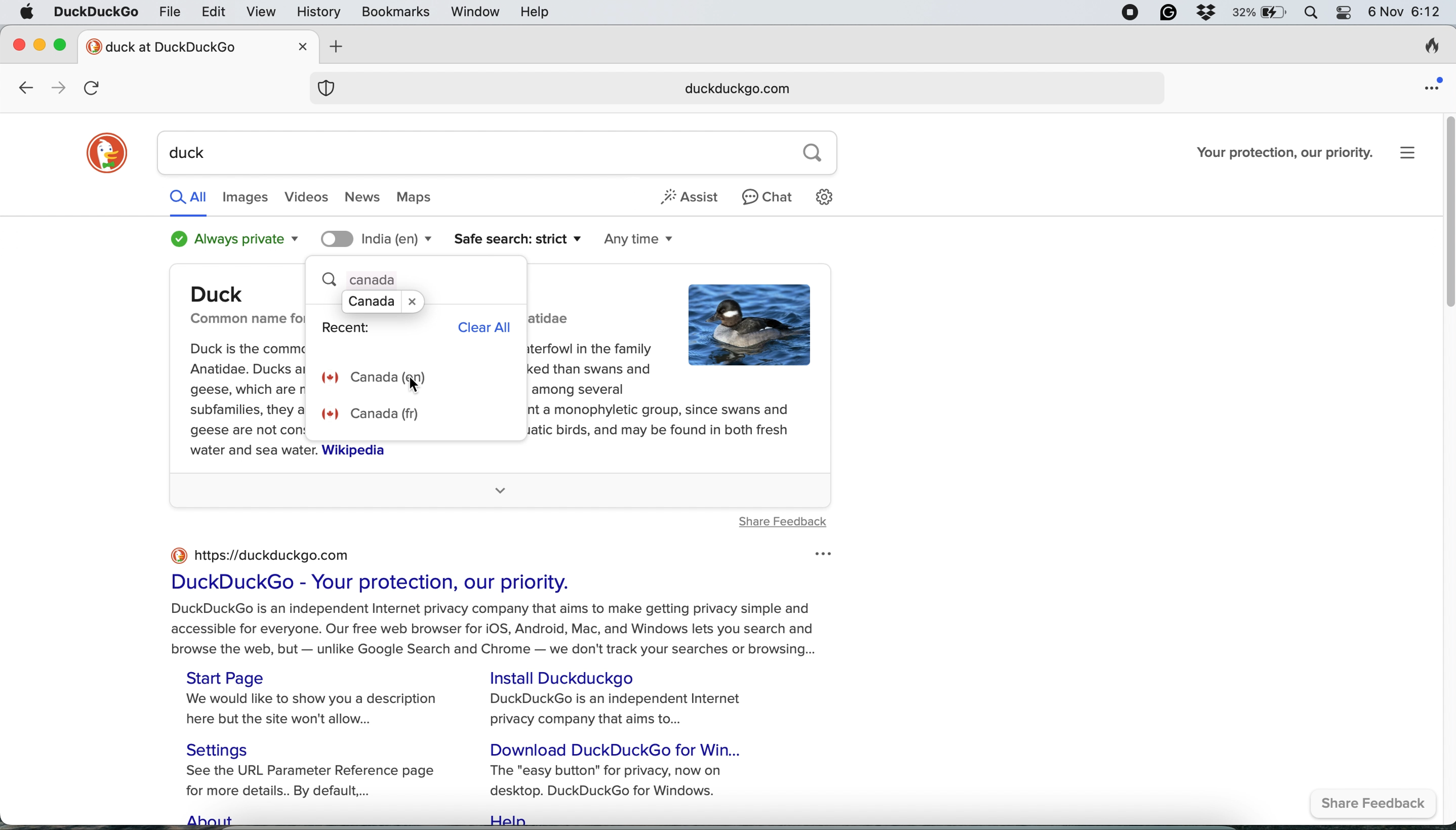 The height and width of the screenshot is (830, 1456). I want to click on videos, so click(309, 198).